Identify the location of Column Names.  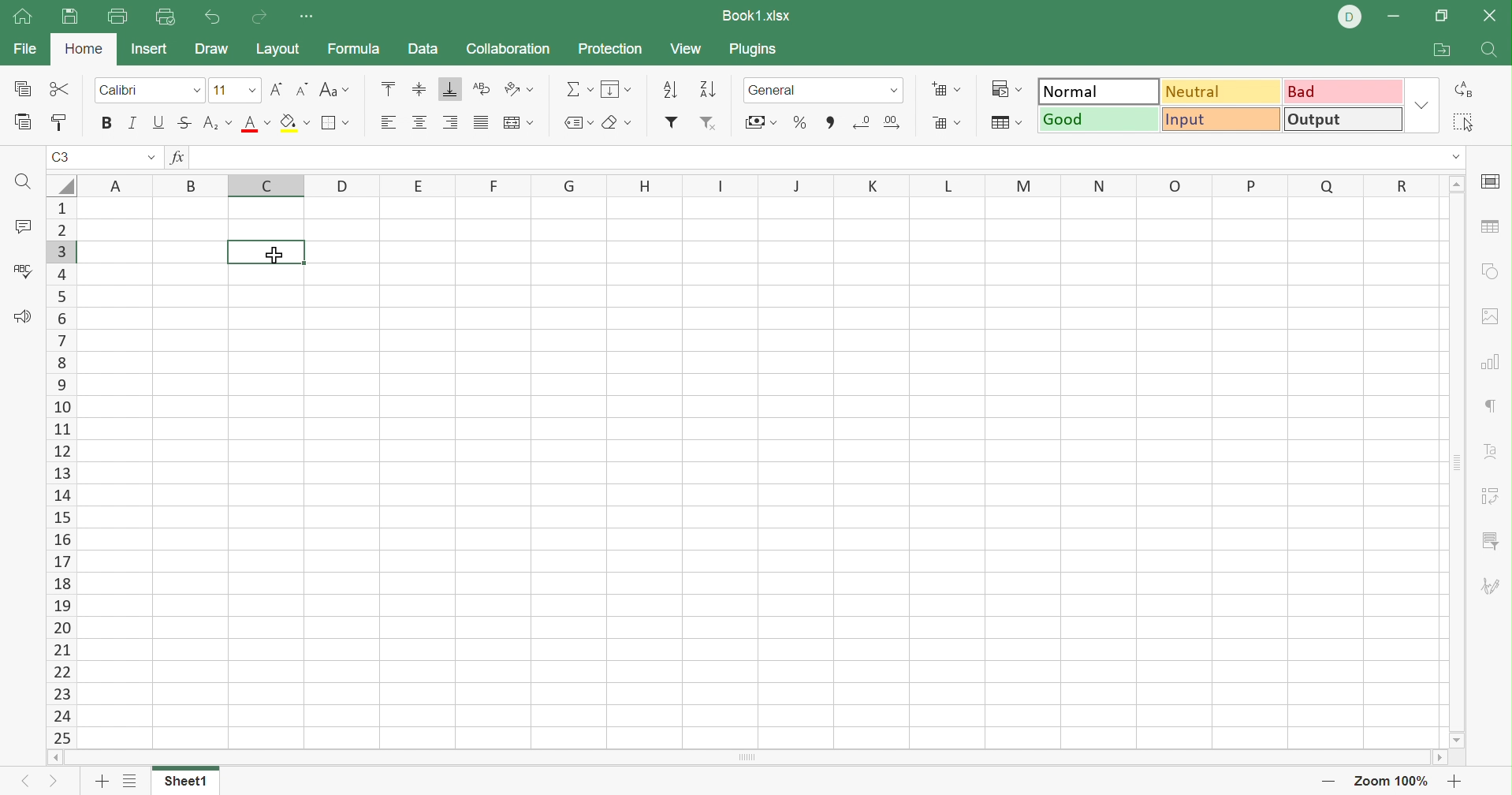
(758, 187).